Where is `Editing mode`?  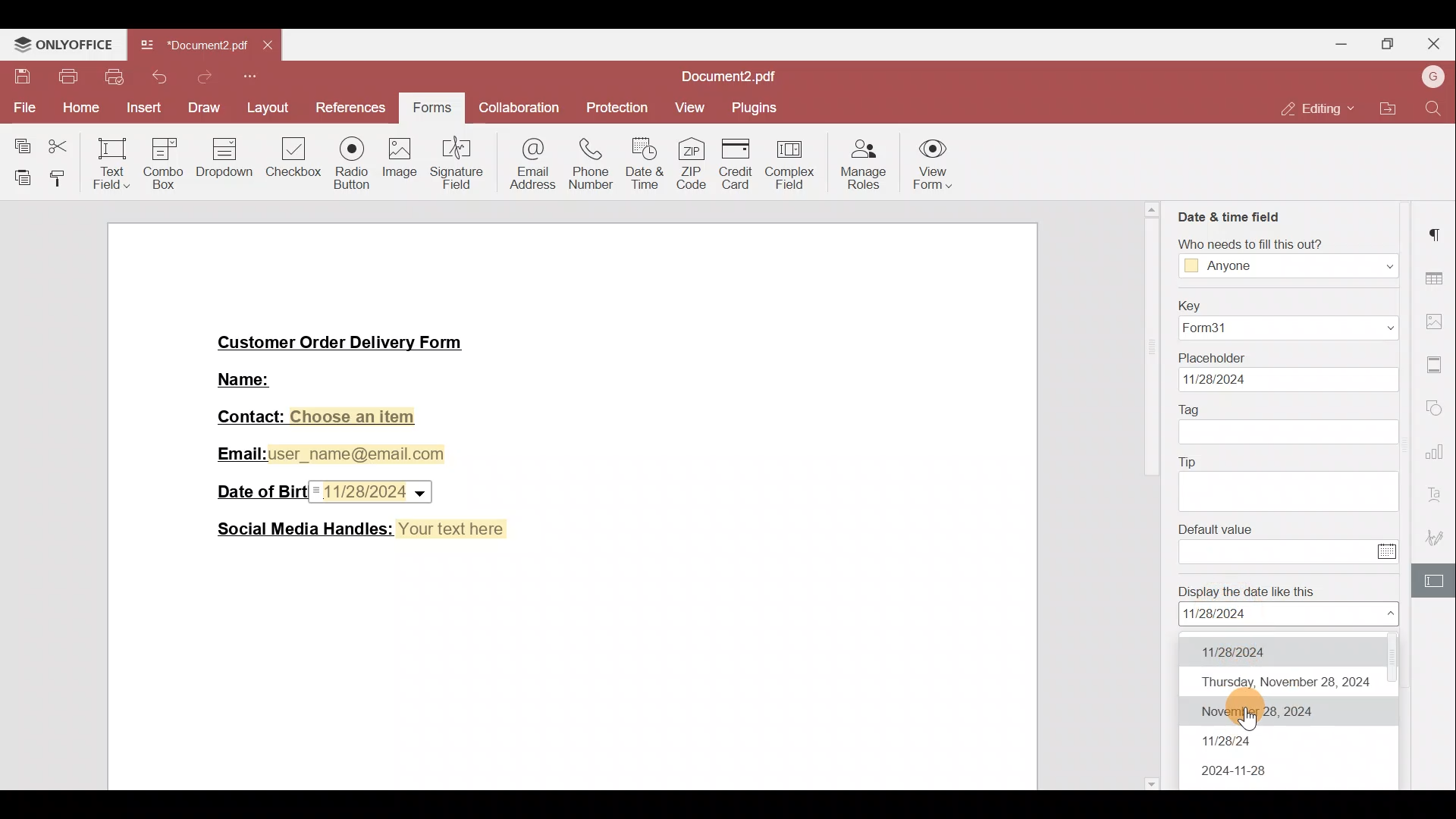
Editing mode is located at coordinates (1313, 108).